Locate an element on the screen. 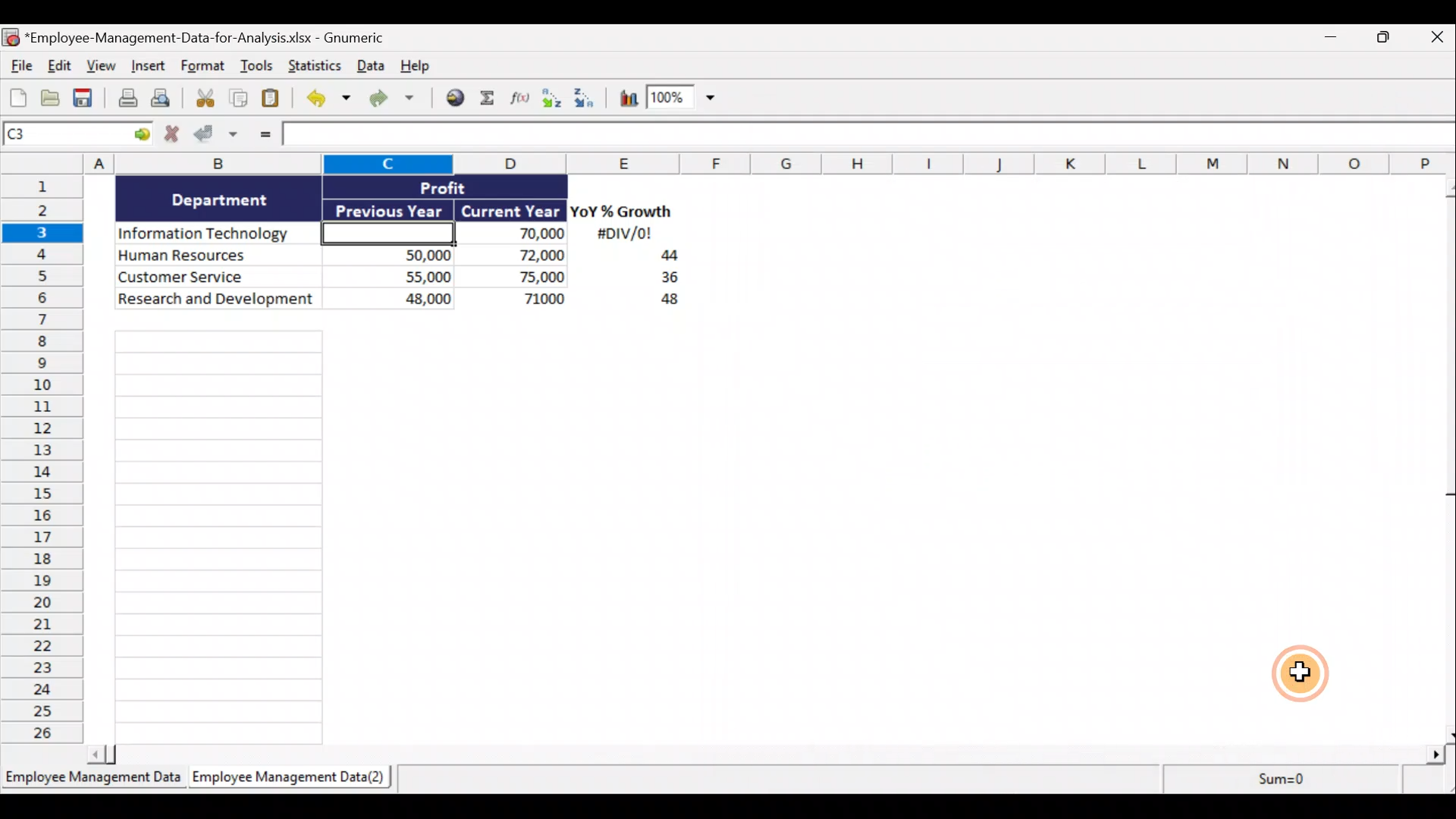  Scroll bar is located at coordinates (771, 752).